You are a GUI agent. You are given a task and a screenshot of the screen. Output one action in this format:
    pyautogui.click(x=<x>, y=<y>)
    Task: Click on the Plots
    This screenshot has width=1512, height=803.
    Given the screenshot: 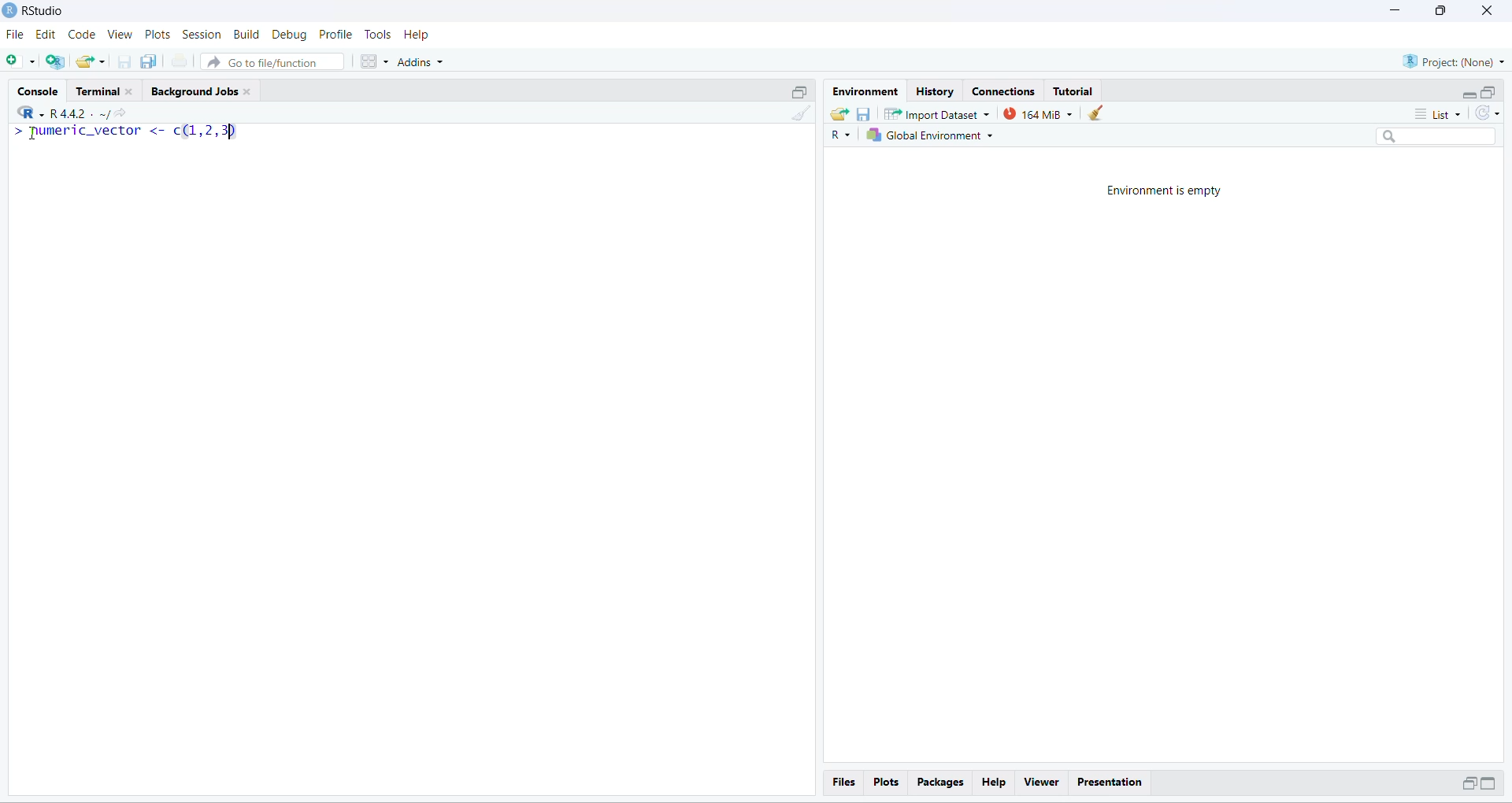 What is the action you would take?
    pyautogui.click(x=884, y=781)
    